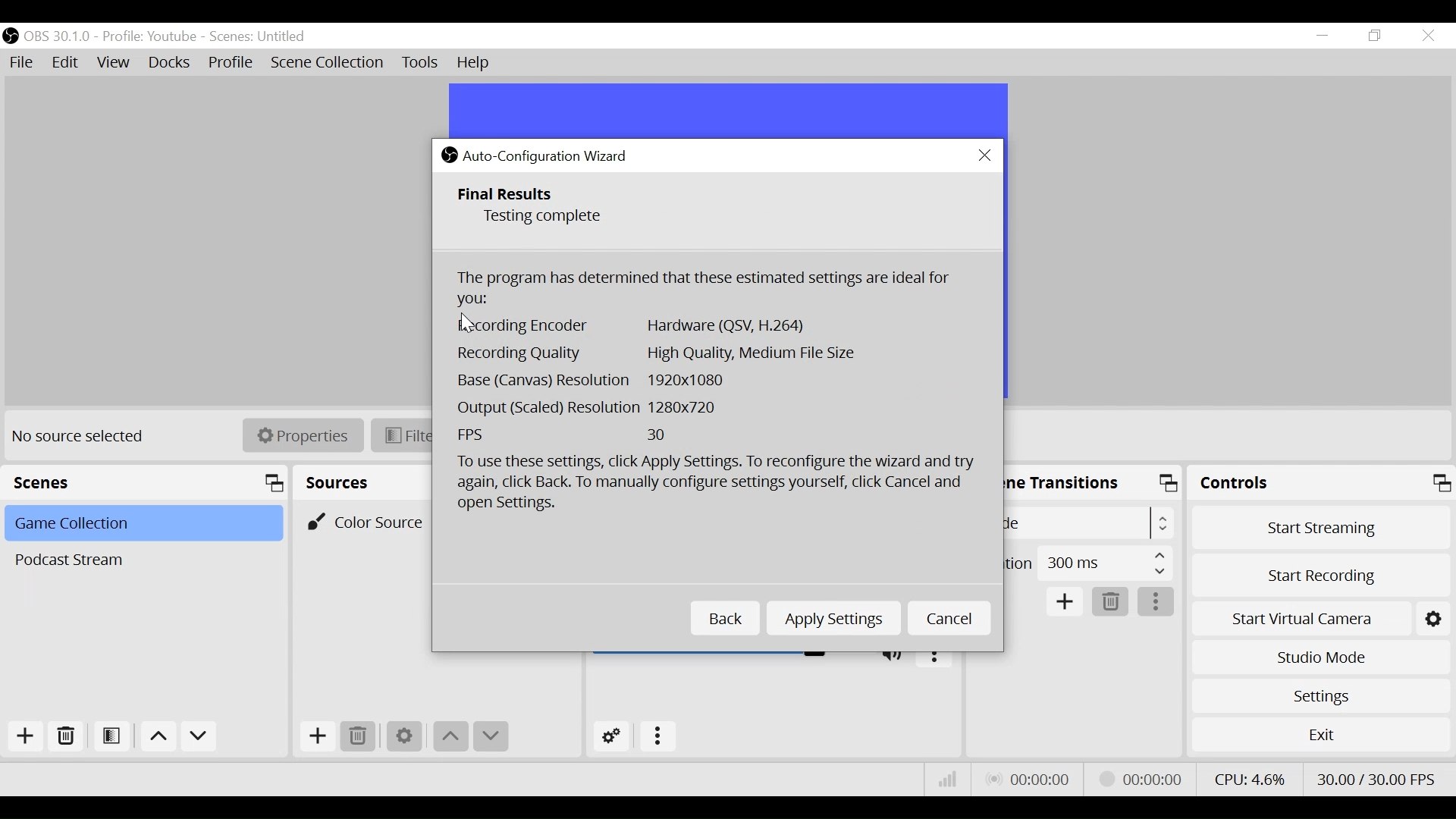 The height and width of the screenshot is (819, 1456). Describe the element at coordinates (949, 780) in the screenshot. I see `Bitrate` at that location.